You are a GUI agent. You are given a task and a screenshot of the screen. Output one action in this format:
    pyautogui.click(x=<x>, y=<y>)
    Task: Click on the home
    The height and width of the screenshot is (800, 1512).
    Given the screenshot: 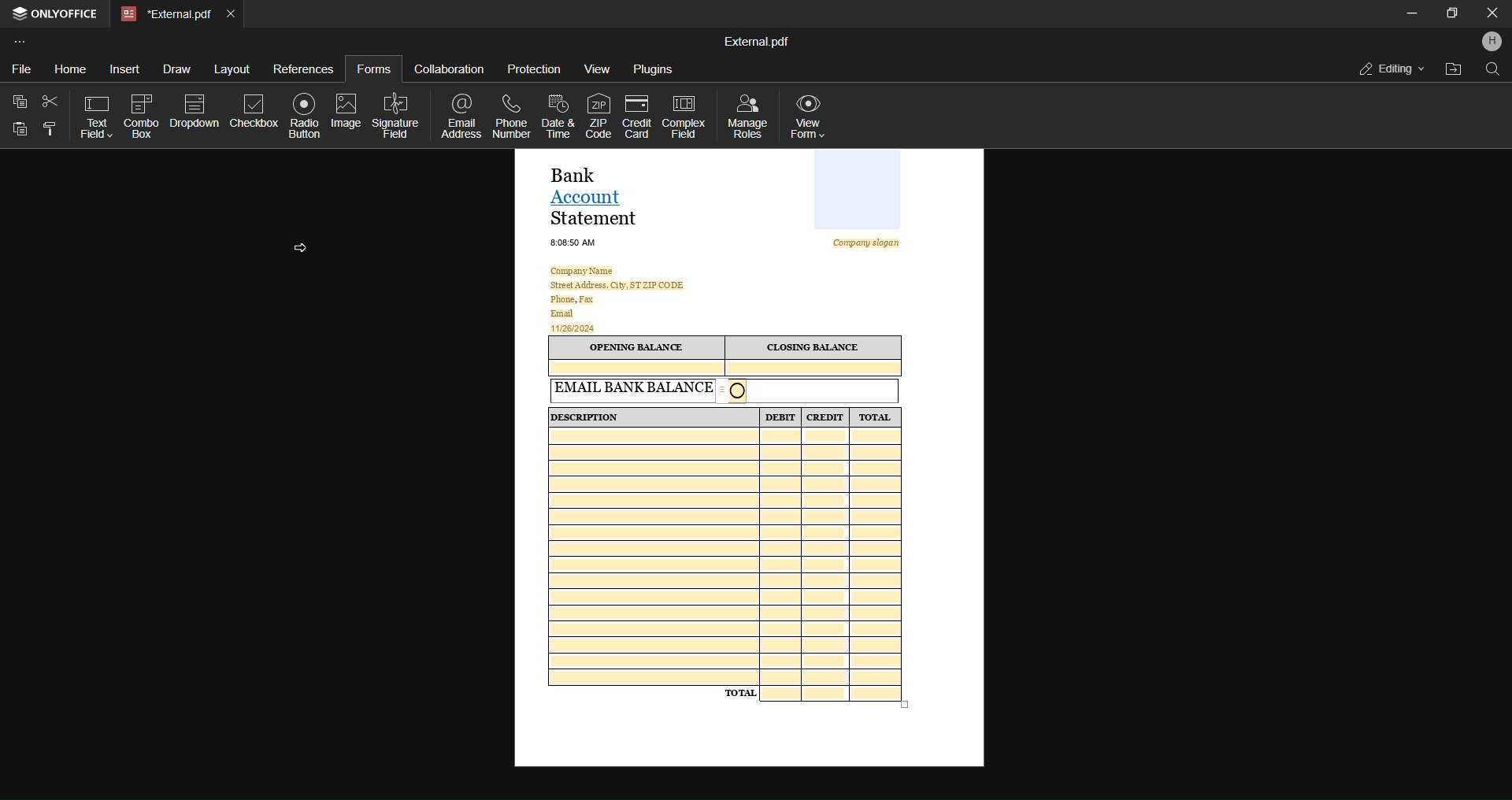 What is the action you would take?
    pyautogui.click(x=63, y=67)
    